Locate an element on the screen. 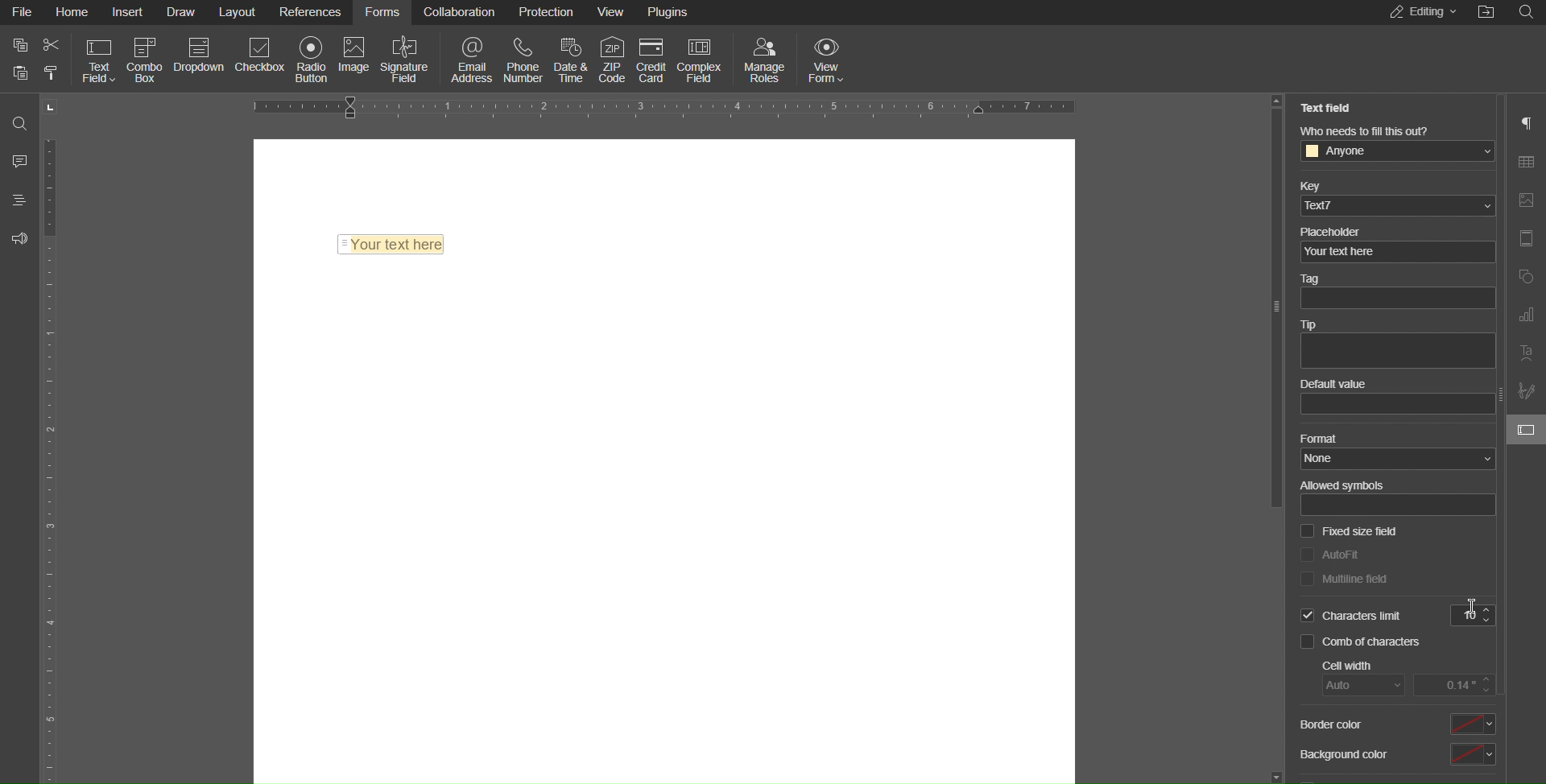 This screenshot has height=784, width=1546. Vertical Ruler is located at coordinates (52, 457).